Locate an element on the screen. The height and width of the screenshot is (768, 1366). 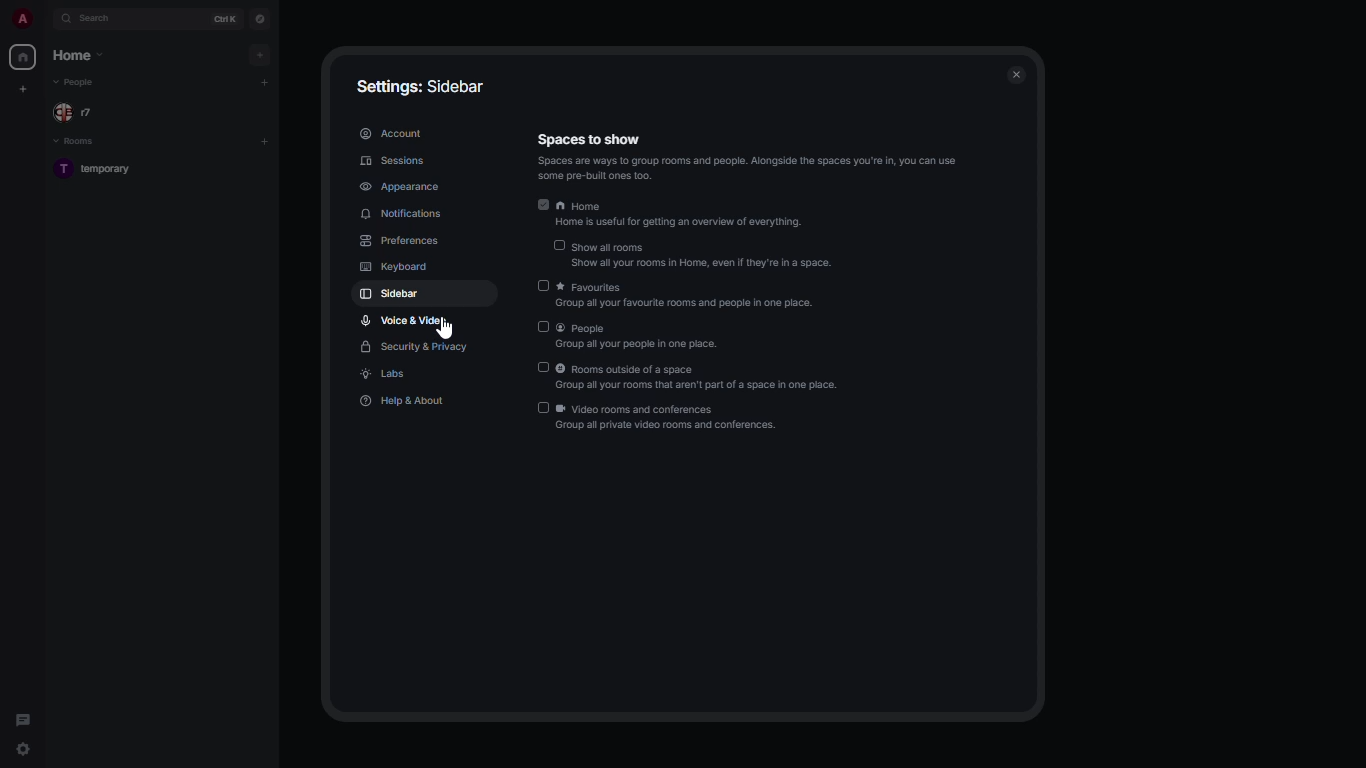
‘Show all your rooms in Home, even If they're in a space. is located at coordinates (689, 264).